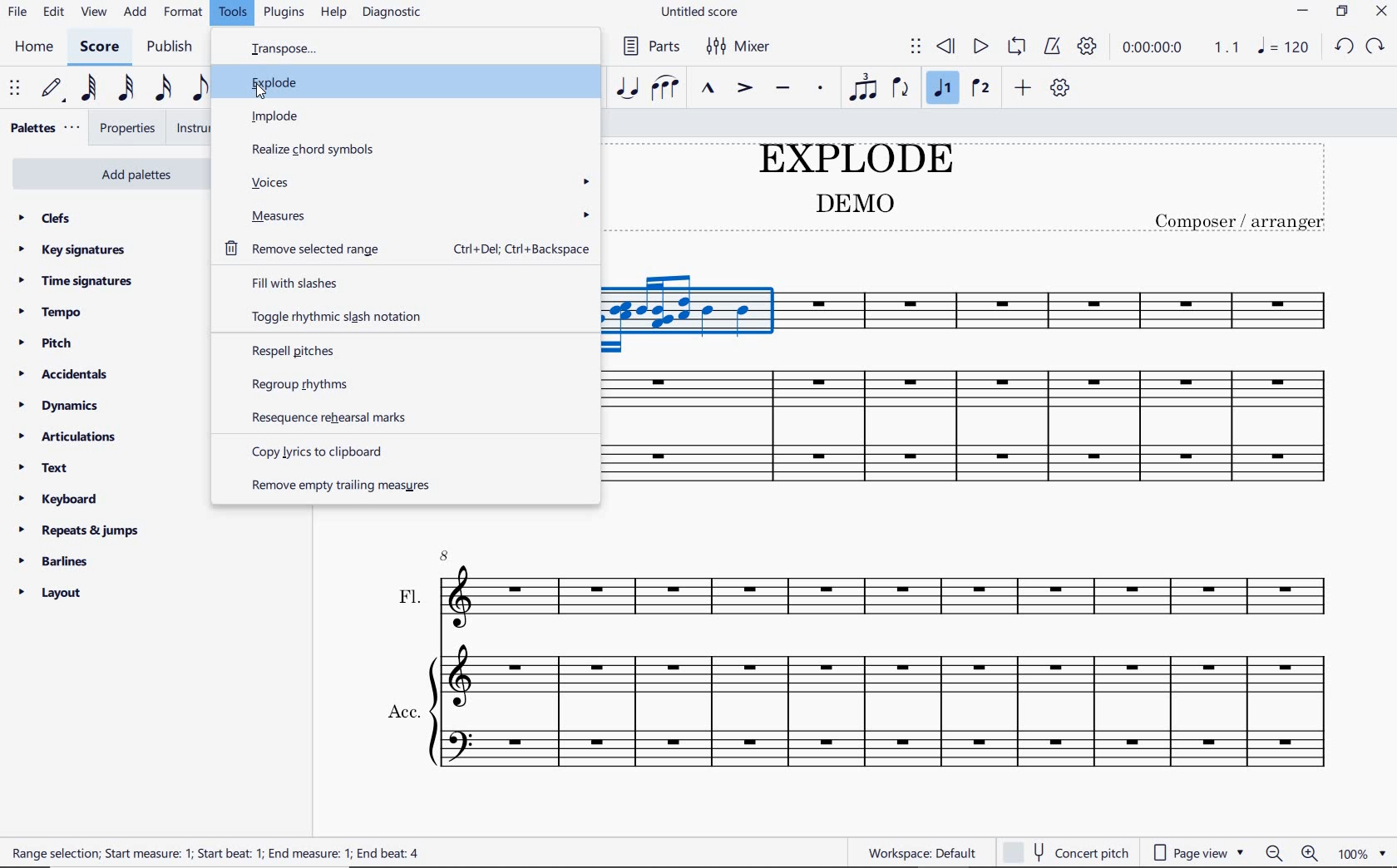 The width and height of the screenshot is (1397, 868). I want to click on palettes, so click(42, 126).